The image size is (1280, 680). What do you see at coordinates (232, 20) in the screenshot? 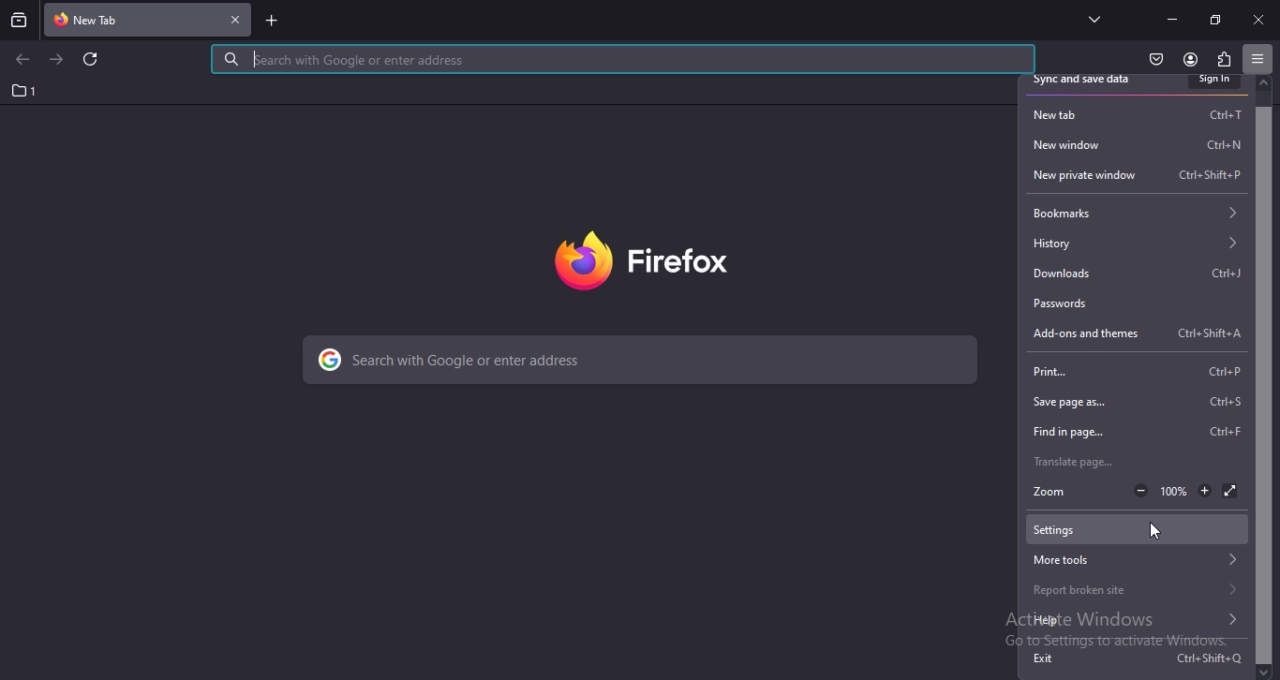
I see `close tab` at bounding box center [232, 20].